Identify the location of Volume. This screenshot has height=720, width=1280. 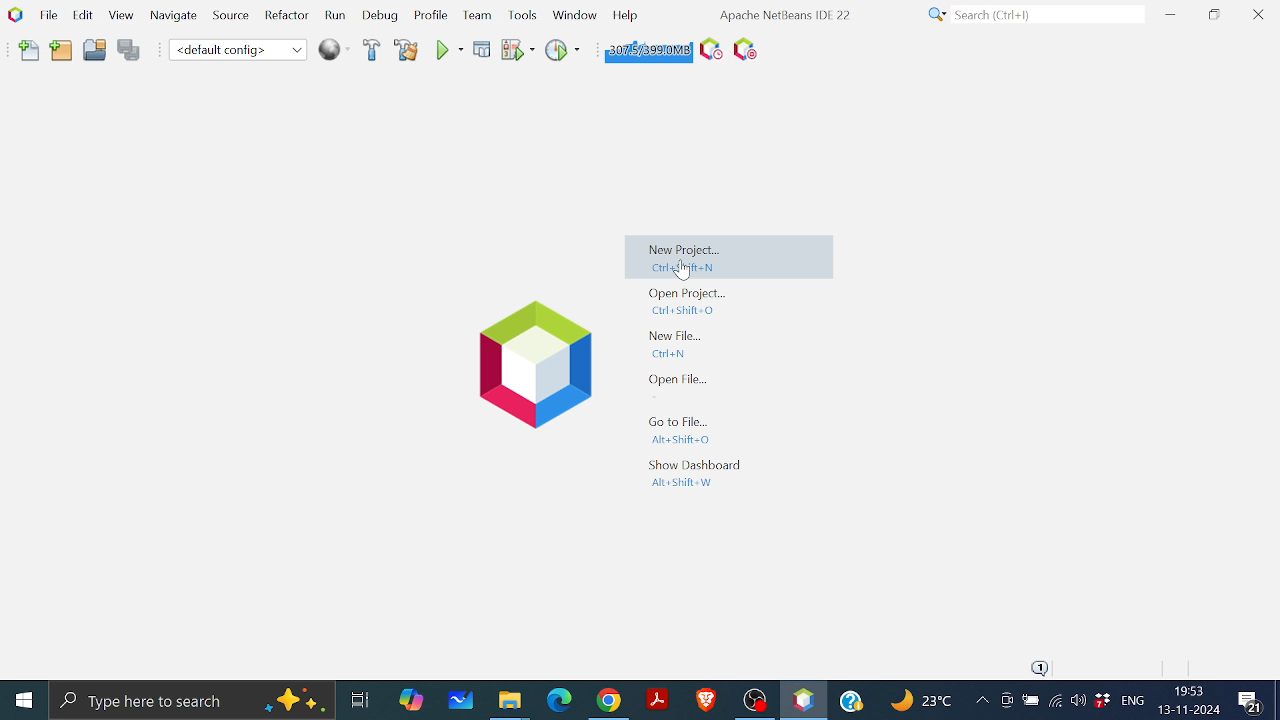
(1078, 702).